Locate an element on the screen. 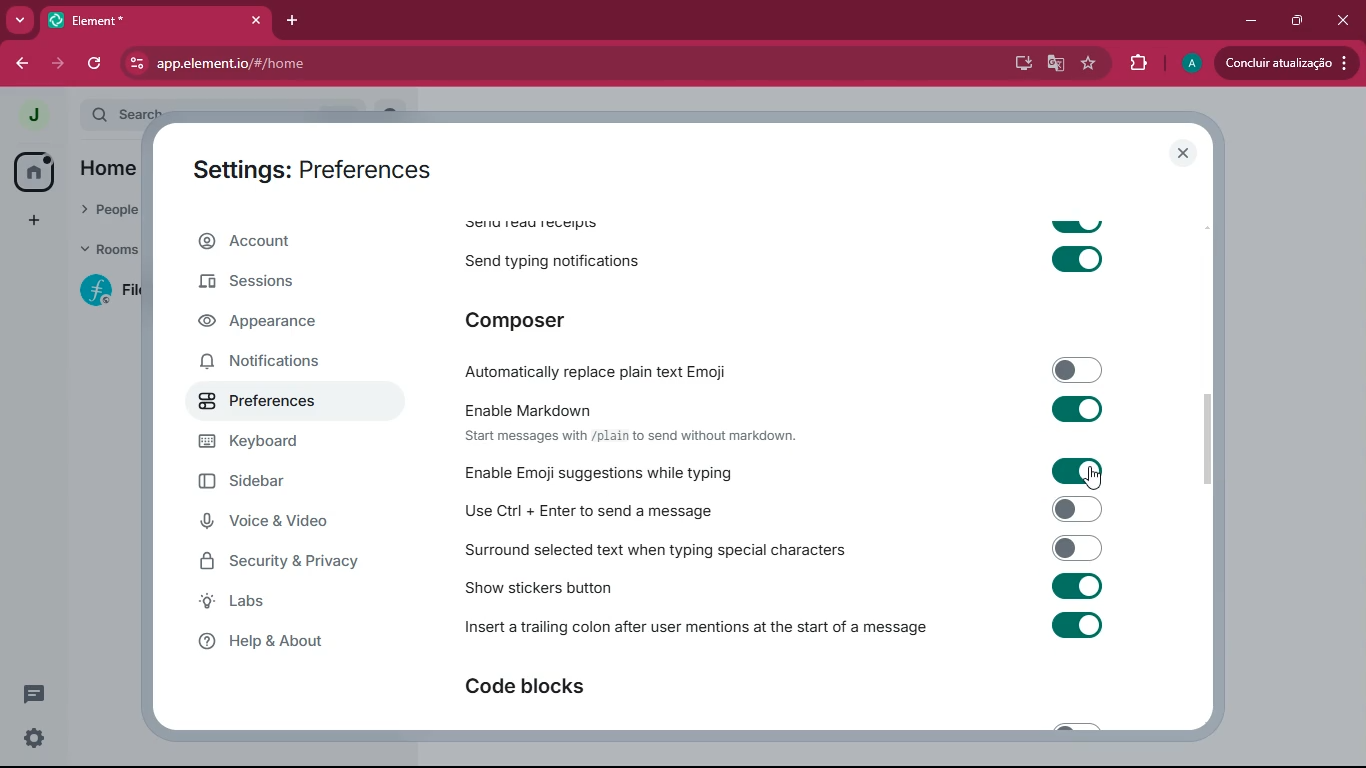 The width and height of the screenshot is (1366, 768). notifications is located at coordinates (277, 359).